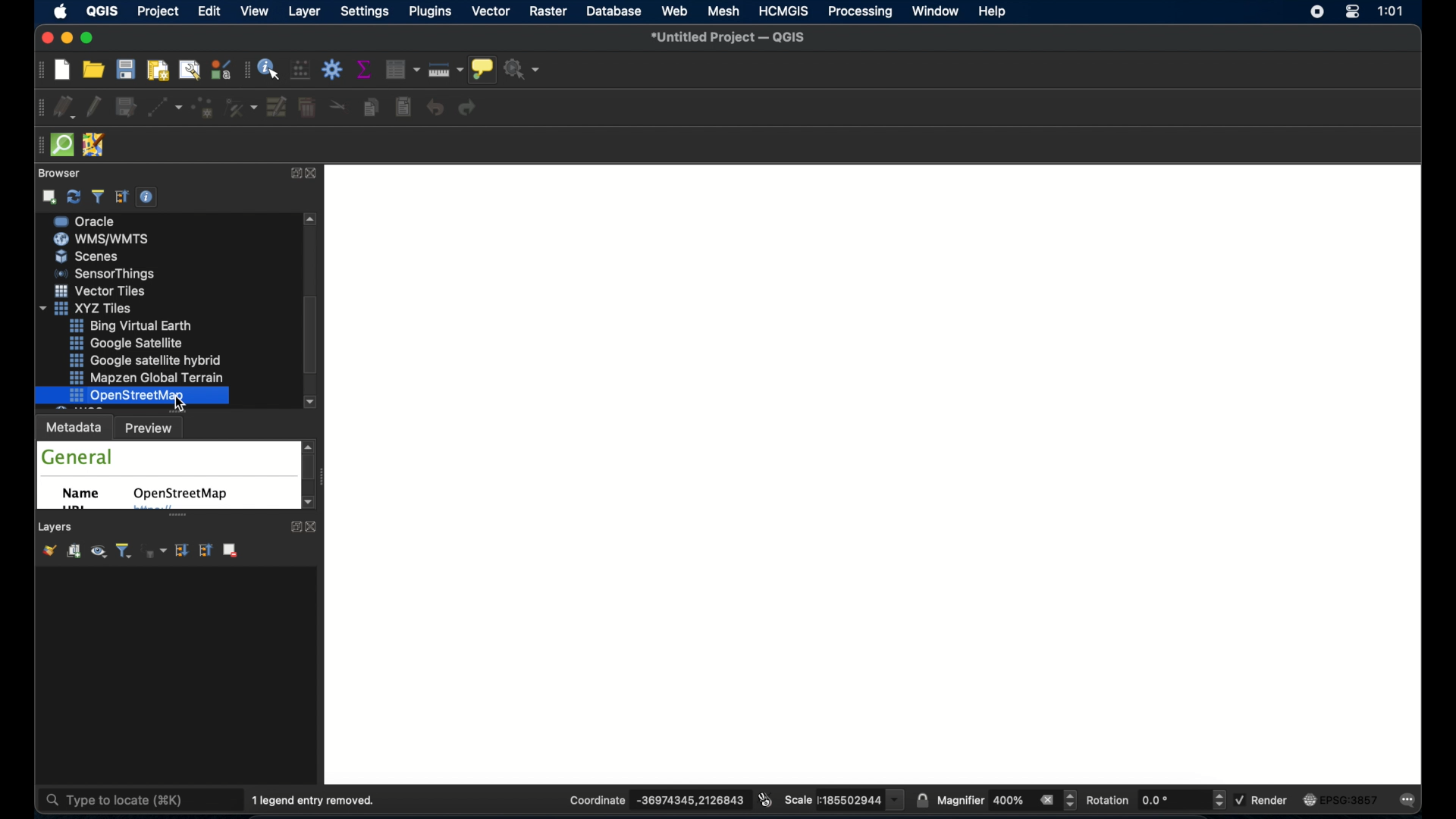 The image size is (1456, 819). What do you see at coordinates (137, 325) in the screenshot?
I see `sensor things` at bounding box center [137, 325].